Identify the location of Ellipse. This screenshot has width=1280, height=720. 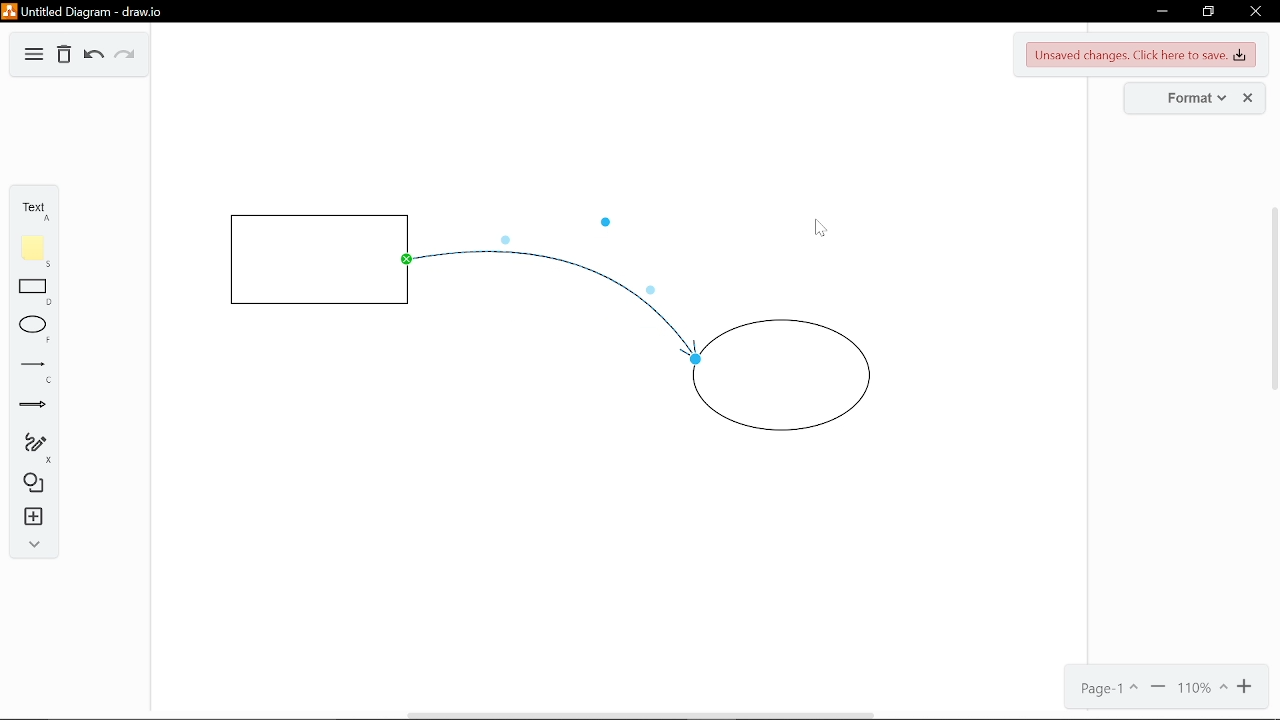
(30, 330).